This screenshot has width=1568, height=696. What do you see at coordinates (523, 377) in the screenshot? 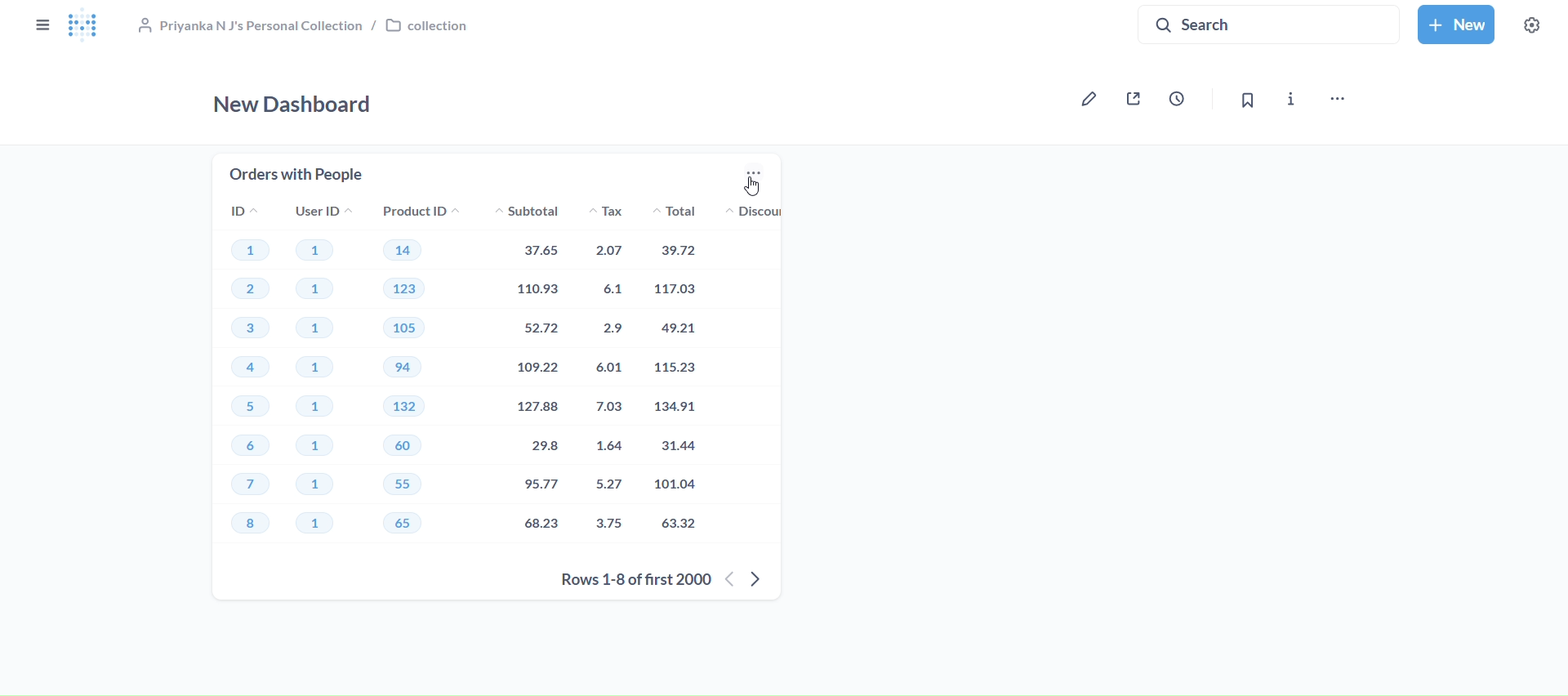
I see `subtotal` at bounding box center [523, 377].